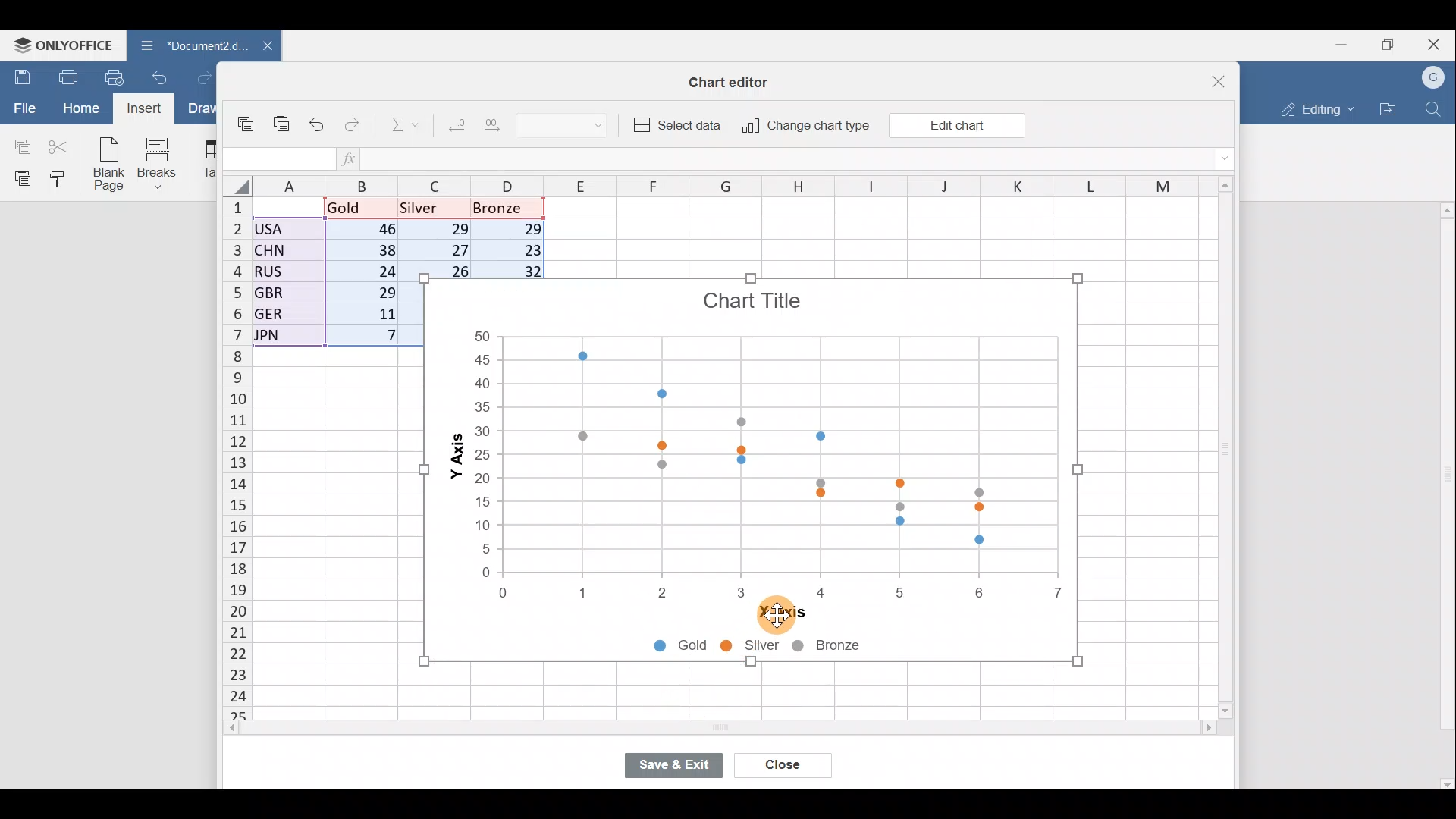 Image resolution: width=1456 pixels, height=819 pixels. Describe the element at coordinates (1220, 449) in the screenshot. I see `Scroll bar` at that location.